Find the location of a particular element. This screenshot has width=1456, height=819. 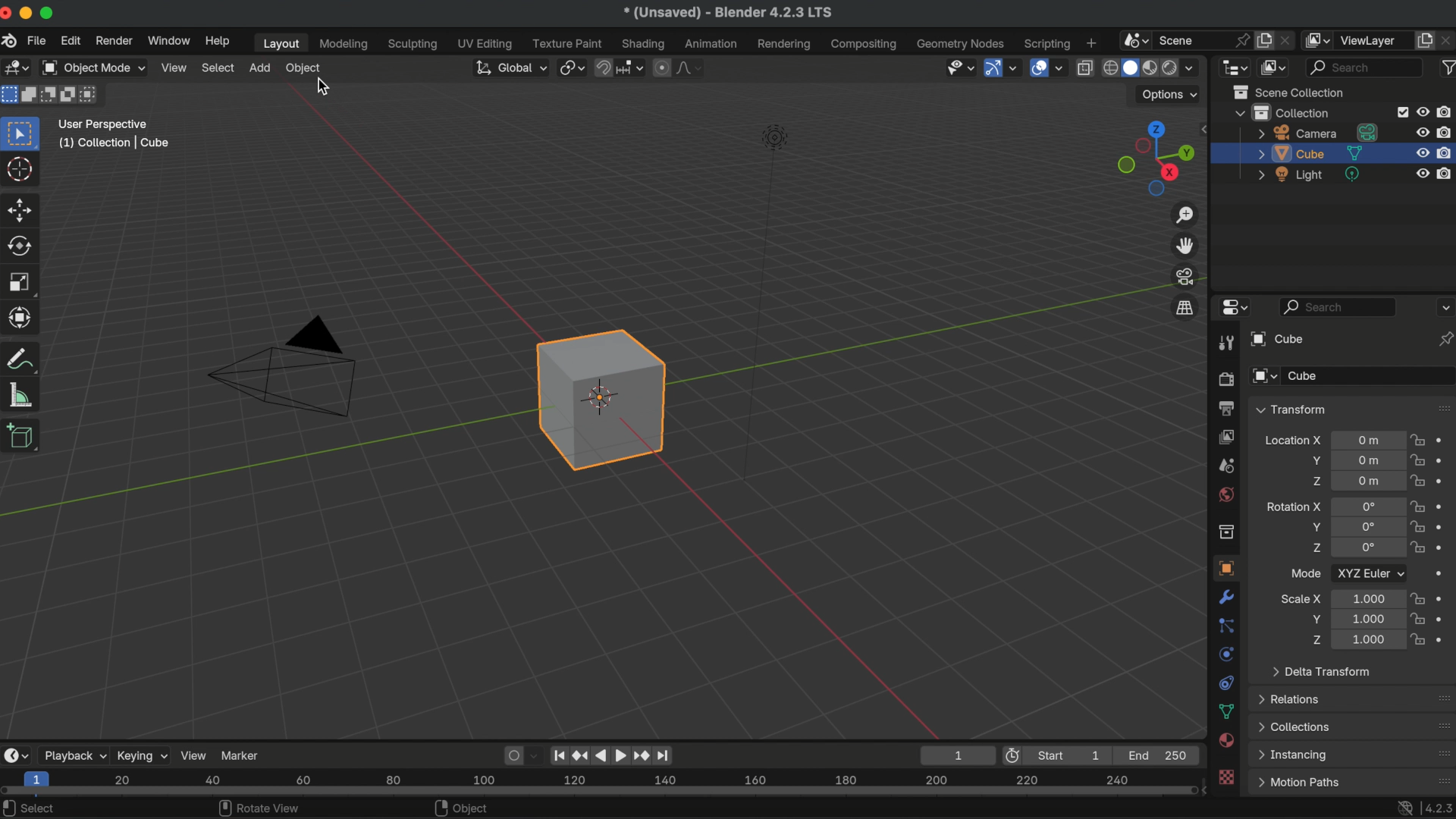

scale is located at coordinates (23, 317).